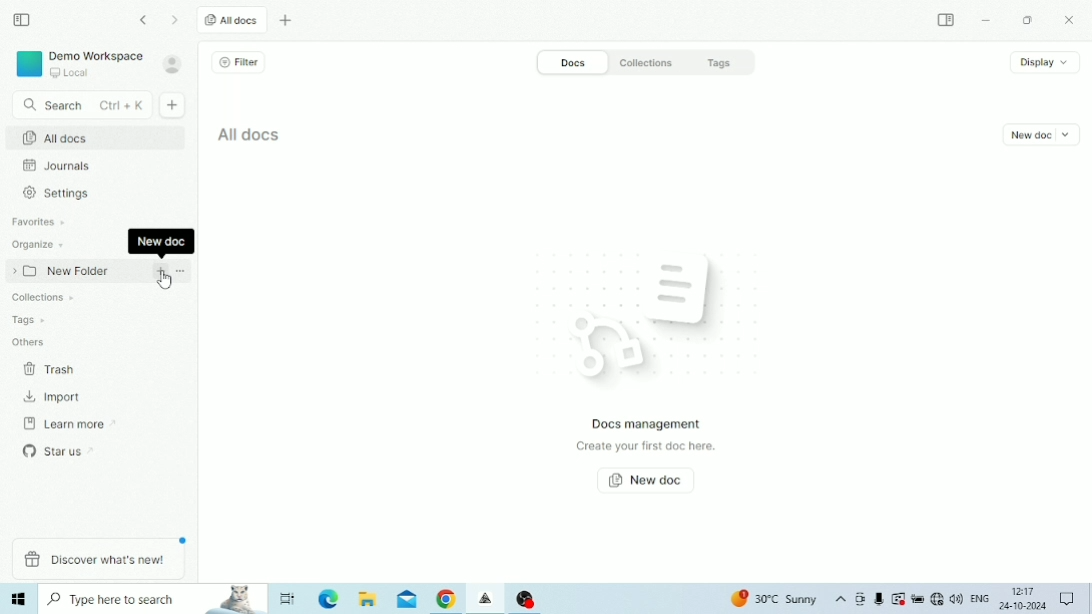 Image resolution: width=1092 pixels, height=614 pixels. What do you see at coordinates (27, 343) in the screenshot?
I see `Others` at bounding box center [27, 343].